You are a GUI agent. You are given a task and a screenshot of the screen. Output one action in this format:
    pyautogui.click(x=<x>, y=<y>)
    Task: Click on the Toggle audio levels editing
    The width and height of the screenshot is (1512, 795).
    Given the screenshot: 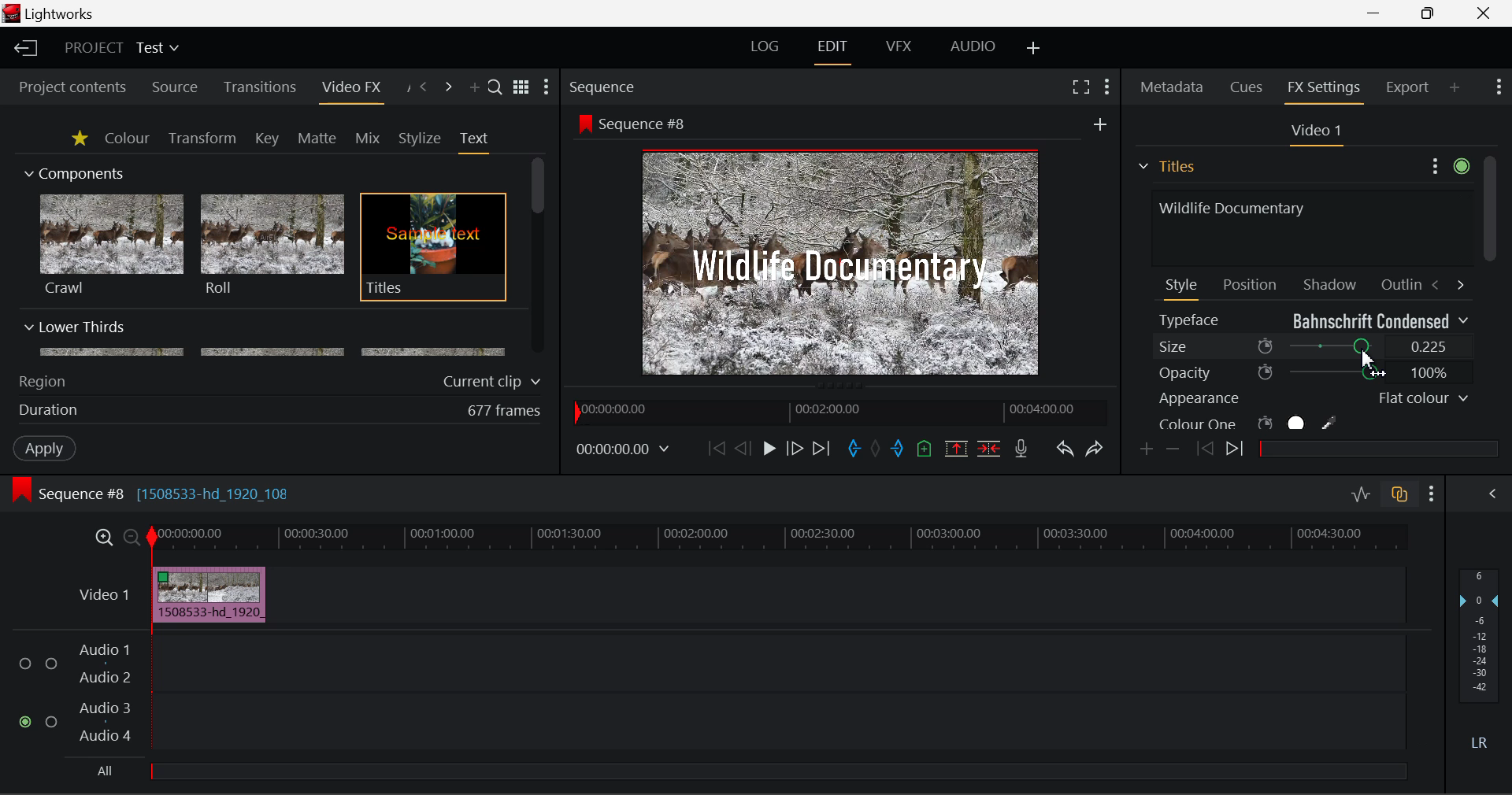 What is the action you would take?
    pyautogui.click(x=1359, y=492)
    